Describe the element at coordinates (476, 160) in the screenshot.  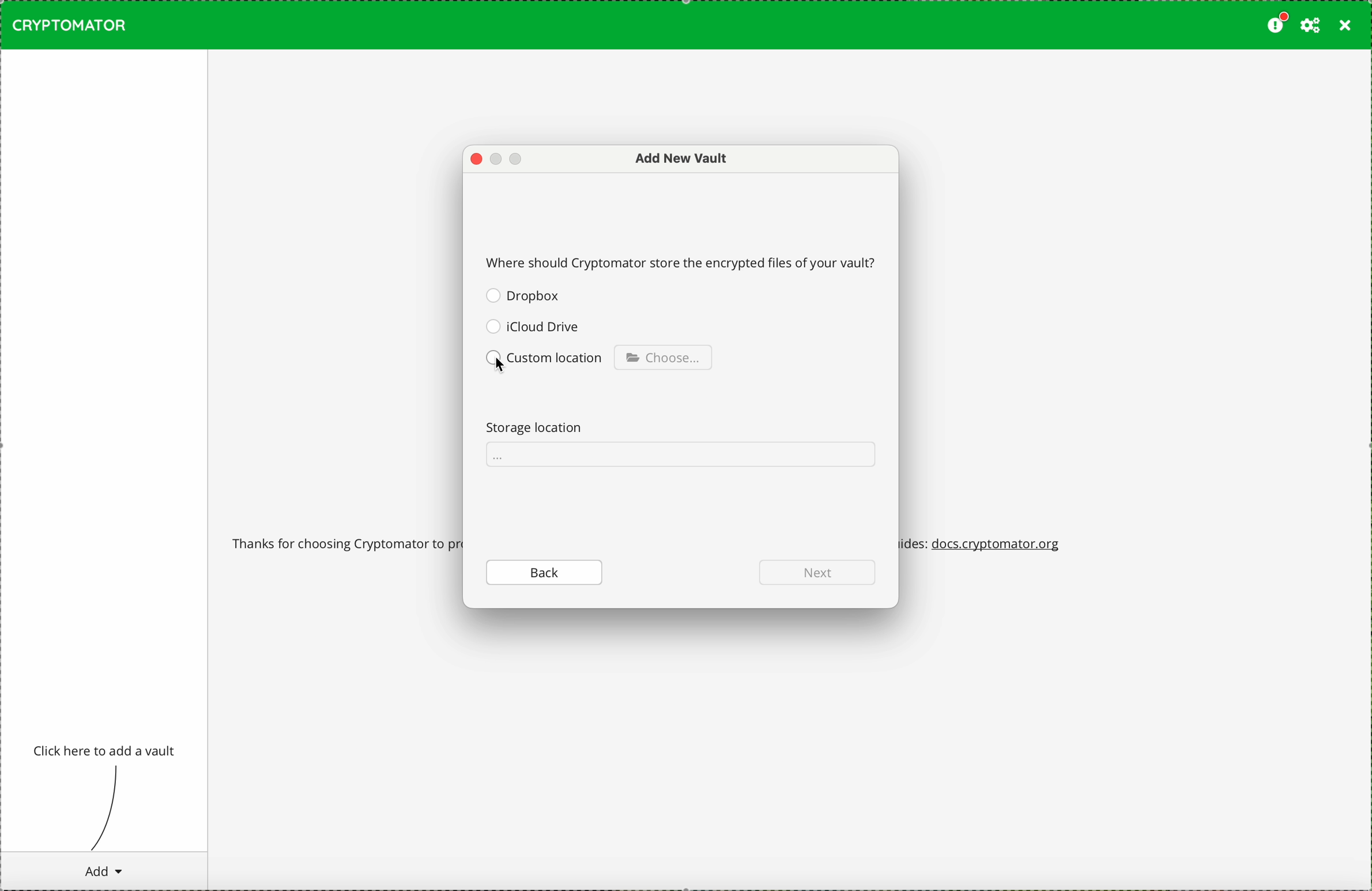
I see `close` at that location.